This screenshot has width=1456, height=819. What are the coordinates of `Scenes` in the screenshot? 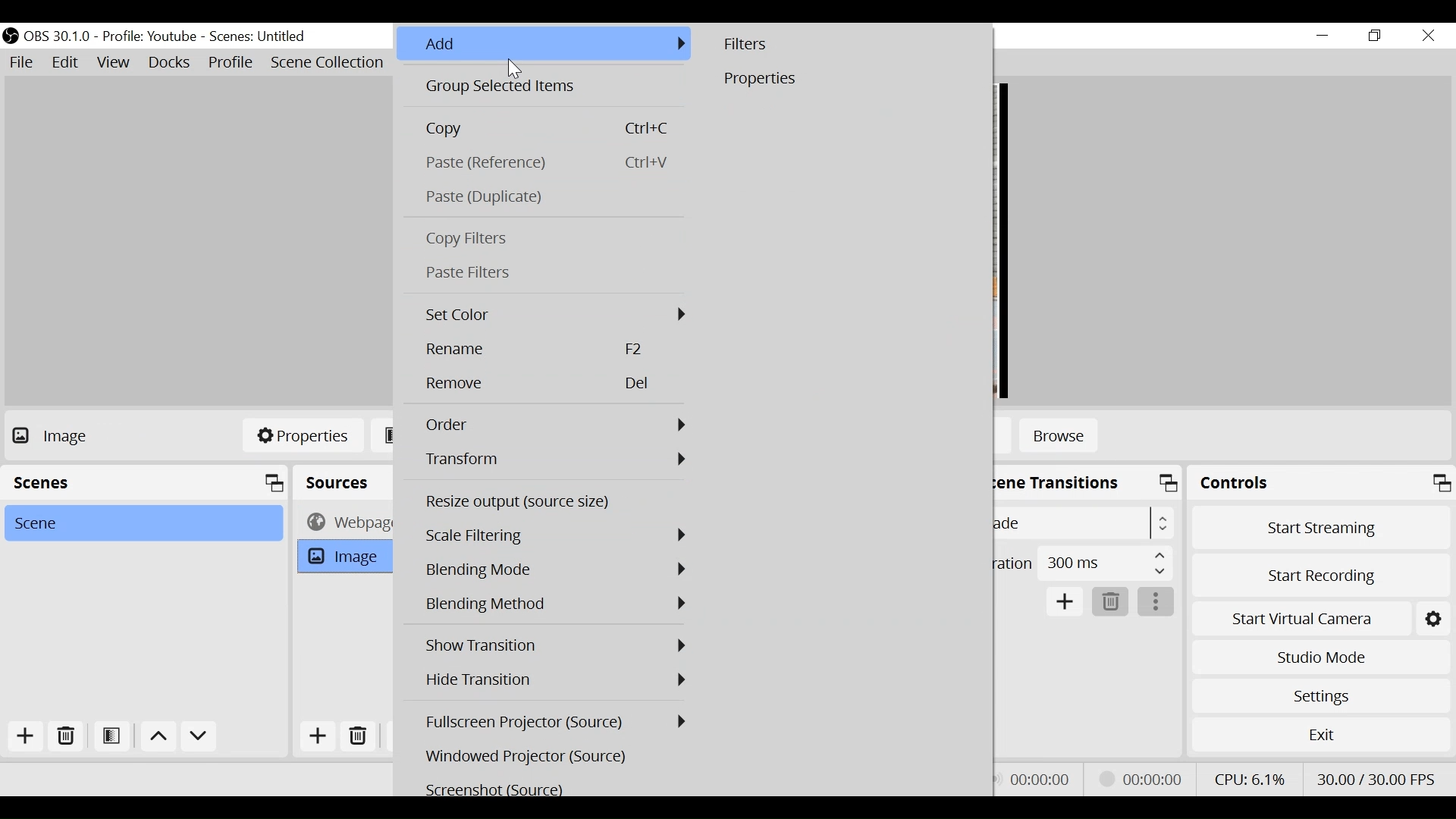 It's located at (259, 37).